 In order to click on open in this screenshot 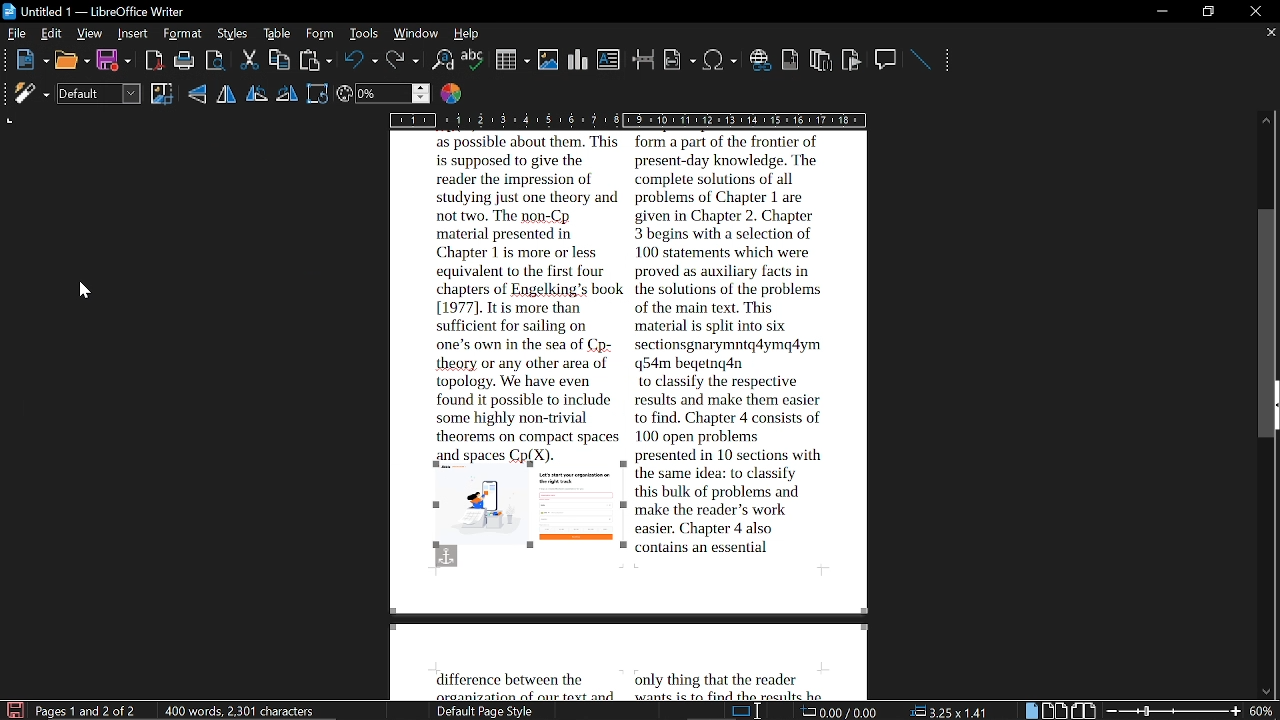, I will do `click(71, 62)`.